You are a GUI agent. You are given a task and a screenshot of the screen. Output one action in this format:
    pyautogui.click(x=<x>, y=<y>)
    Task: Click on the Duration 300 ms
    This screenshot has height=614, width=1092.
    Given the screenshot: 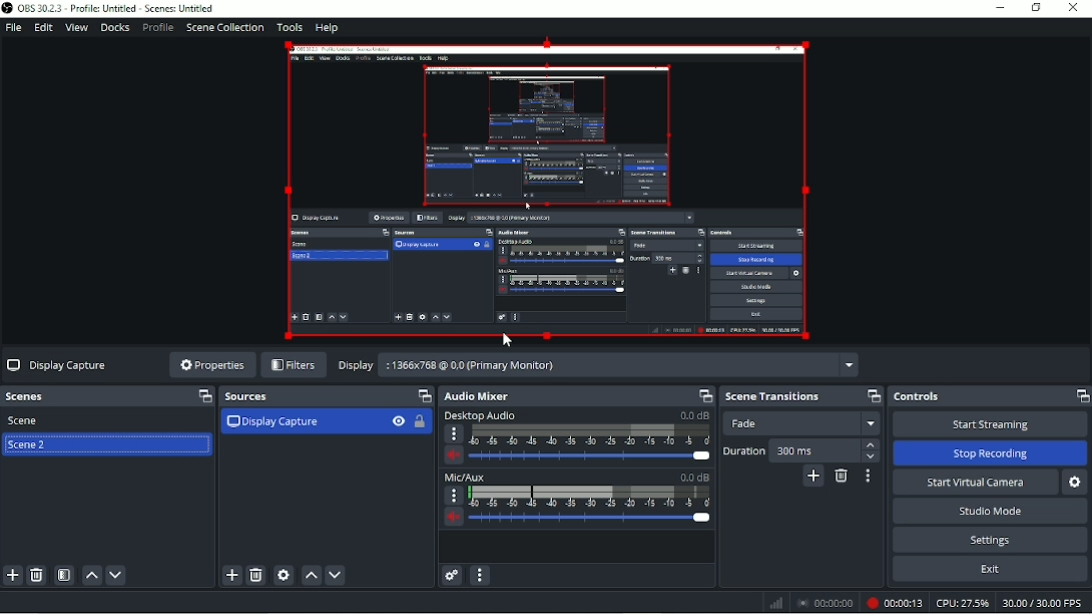 What is the action you would take?
    pyautogui.click(x=802, y=450)
    